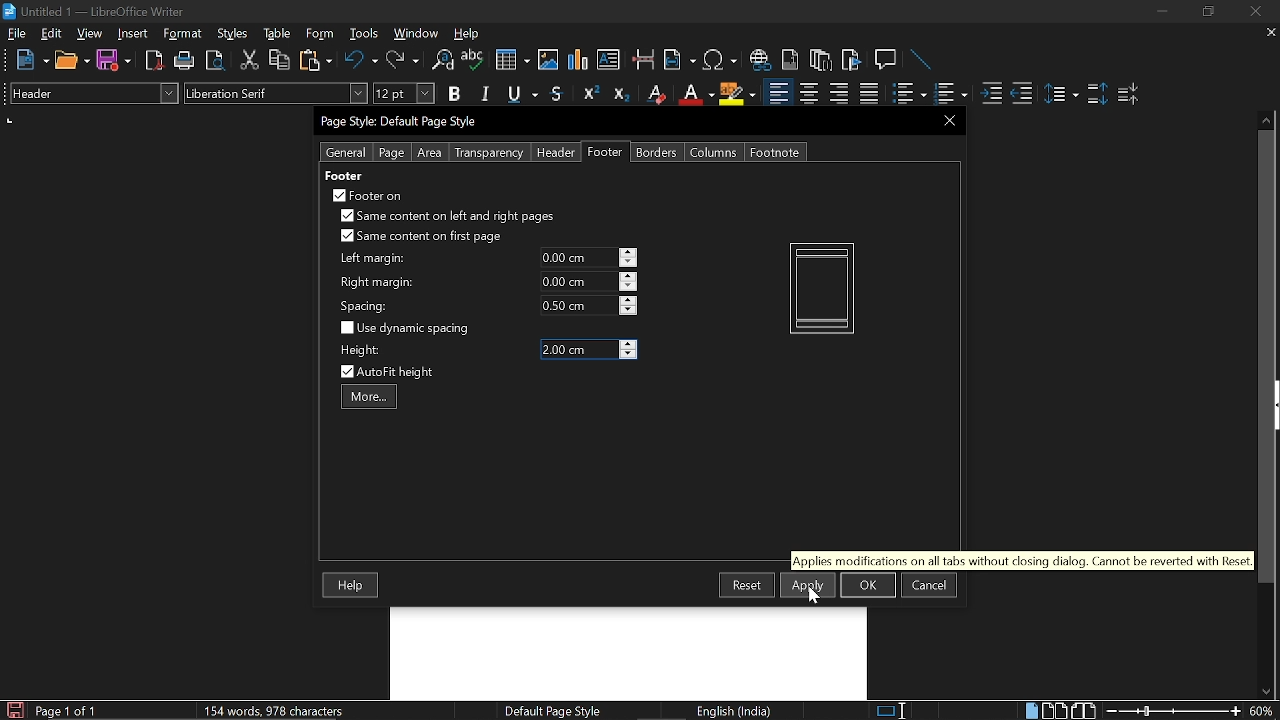  Describe the element at coordinates (1265, 692) in the screenshot. I see `Move down` at that location.